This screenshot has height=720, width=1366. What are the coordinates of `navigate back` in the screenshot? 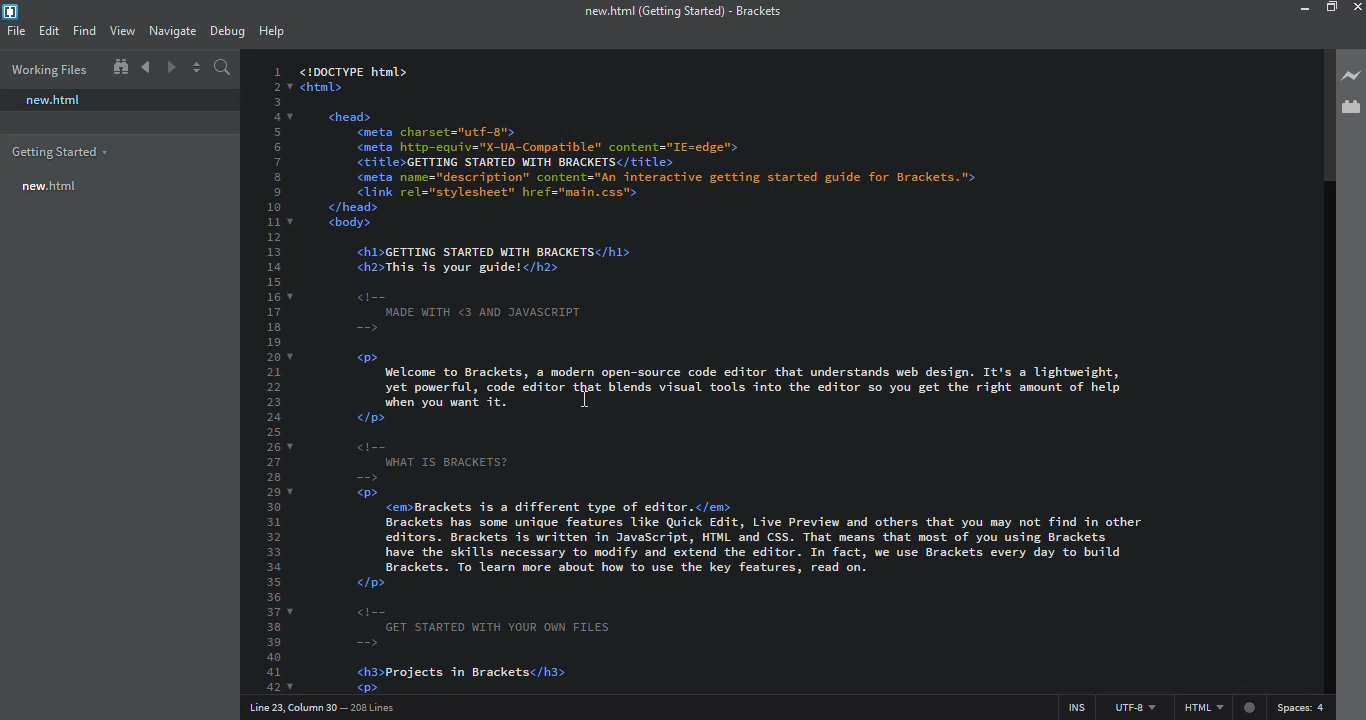 It's located at (147, 66).